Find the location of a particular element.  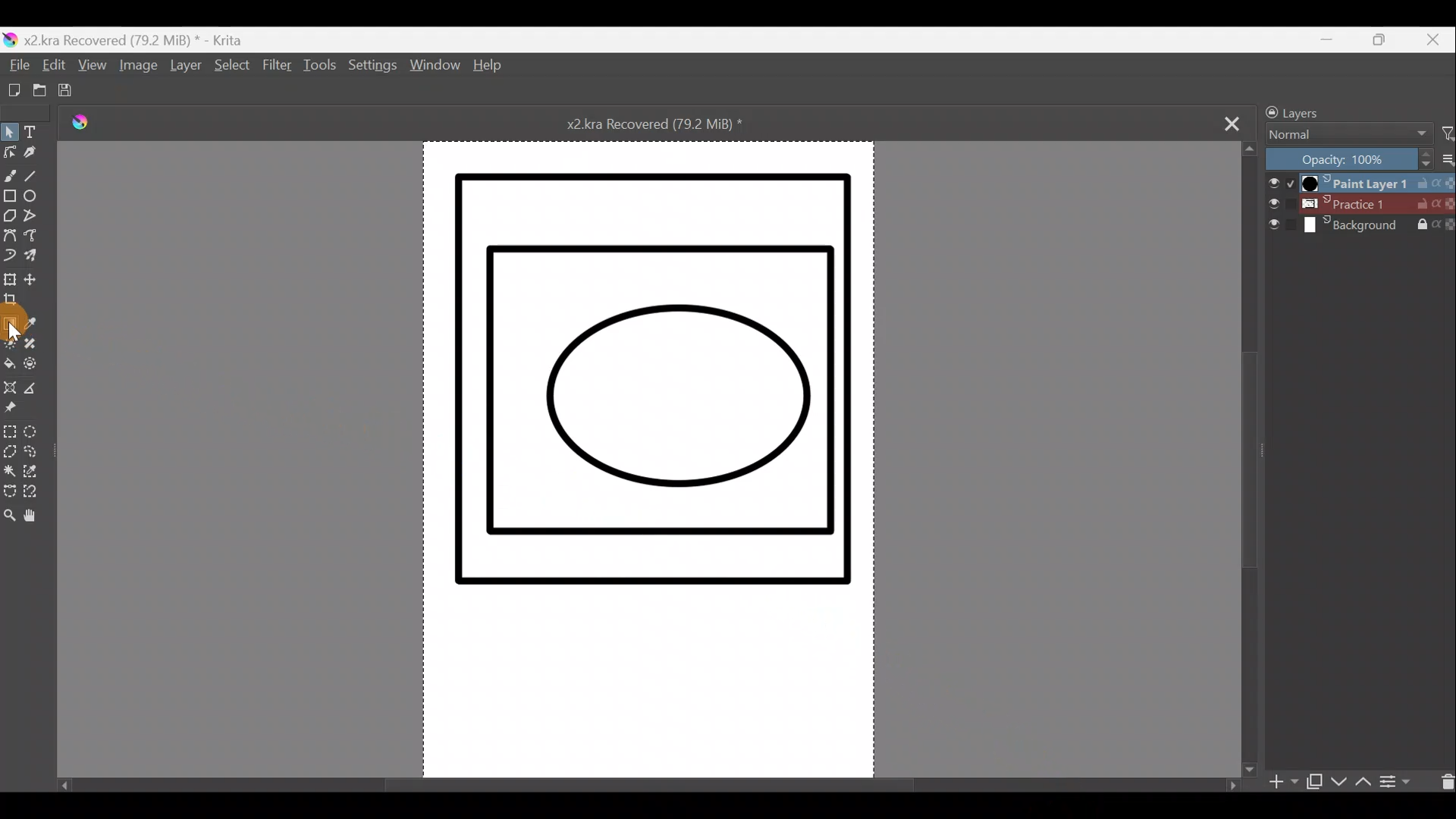

Move layer/mask down is located at coordinates (1337, 782).